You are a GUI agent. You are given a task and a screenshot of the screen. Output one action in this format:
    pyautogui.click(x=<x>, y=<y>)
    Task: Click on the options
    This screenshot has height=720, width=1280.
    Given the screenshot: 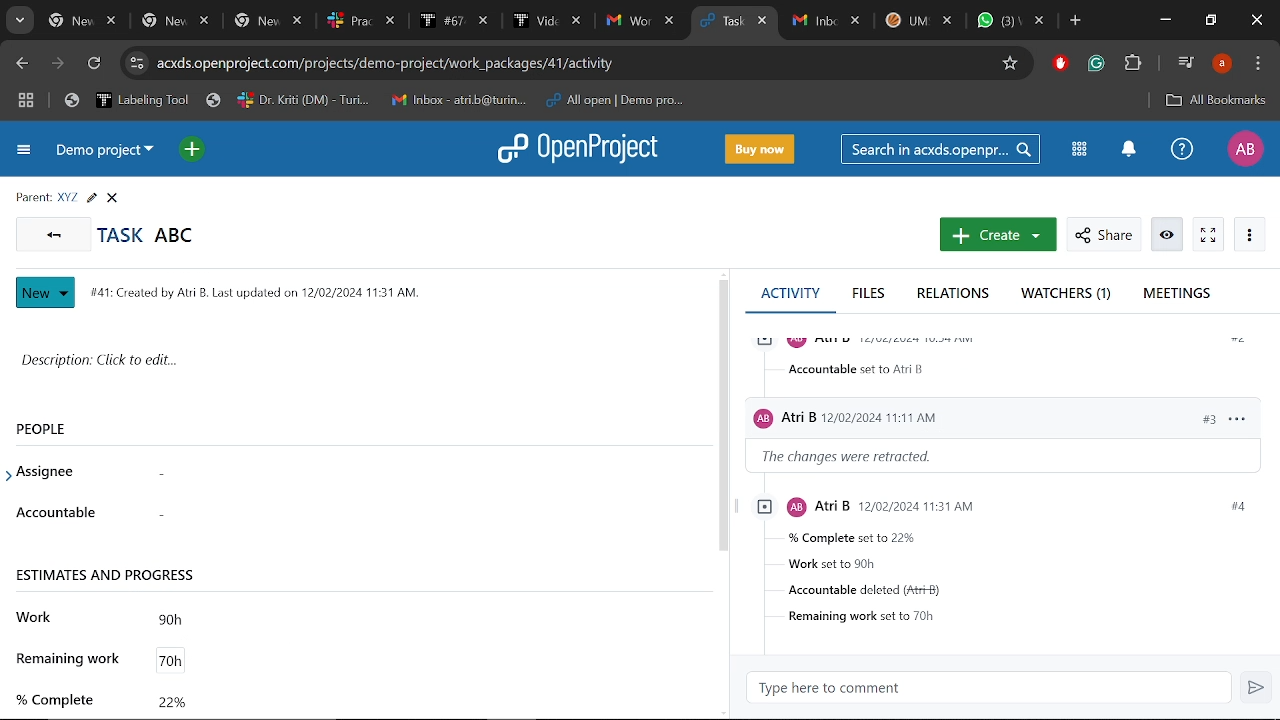 What is the action you would take?
    pyautogui.click(x=1236, y=417)
    